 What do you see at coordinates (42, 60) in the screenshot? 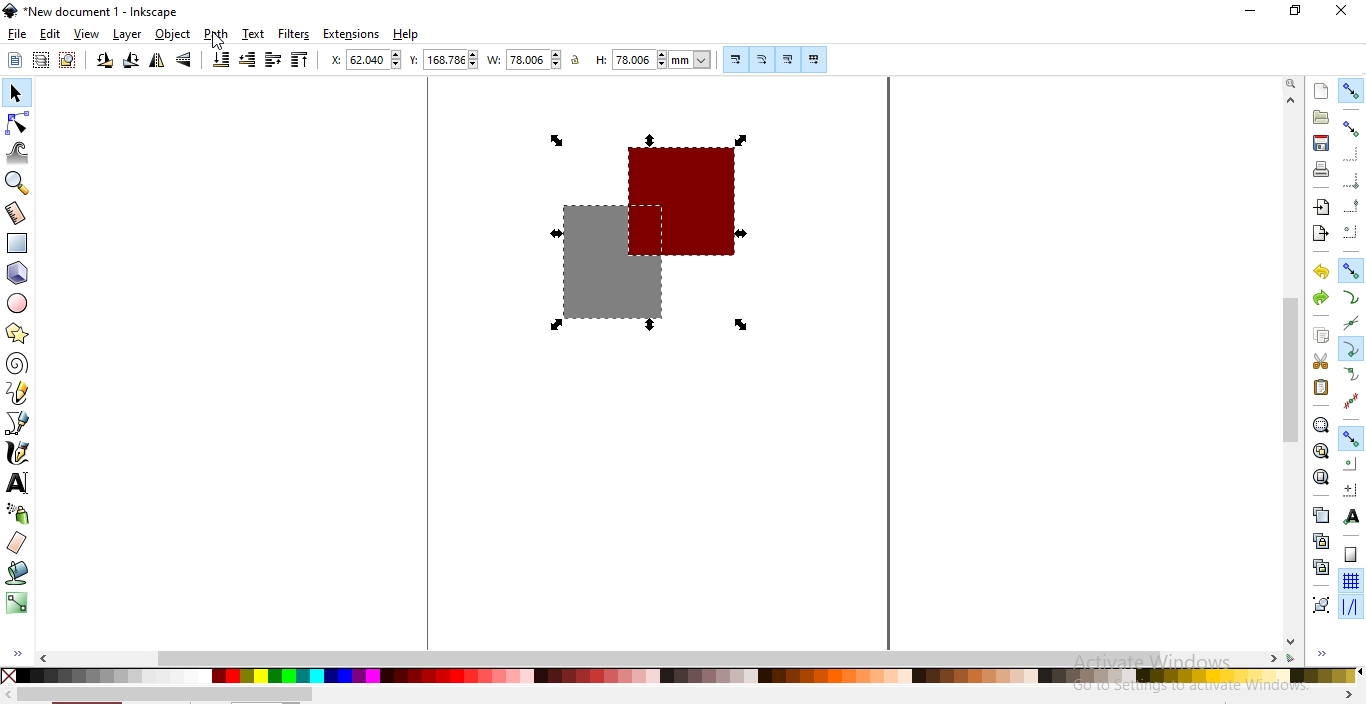
I see `select any object in visible and unlocked layers` at bounding box center [42, 60].